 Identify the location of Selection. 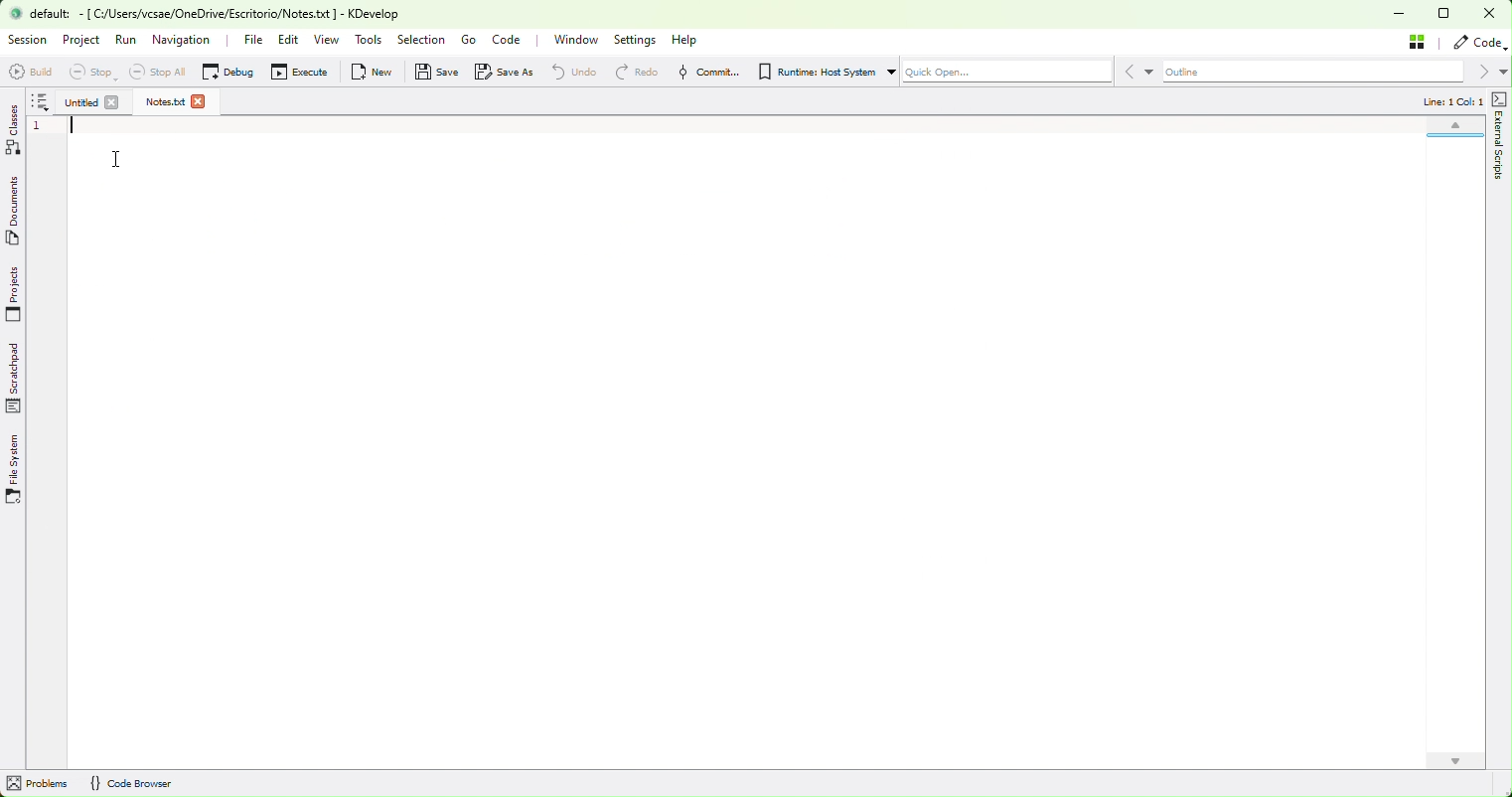
(421, 38).